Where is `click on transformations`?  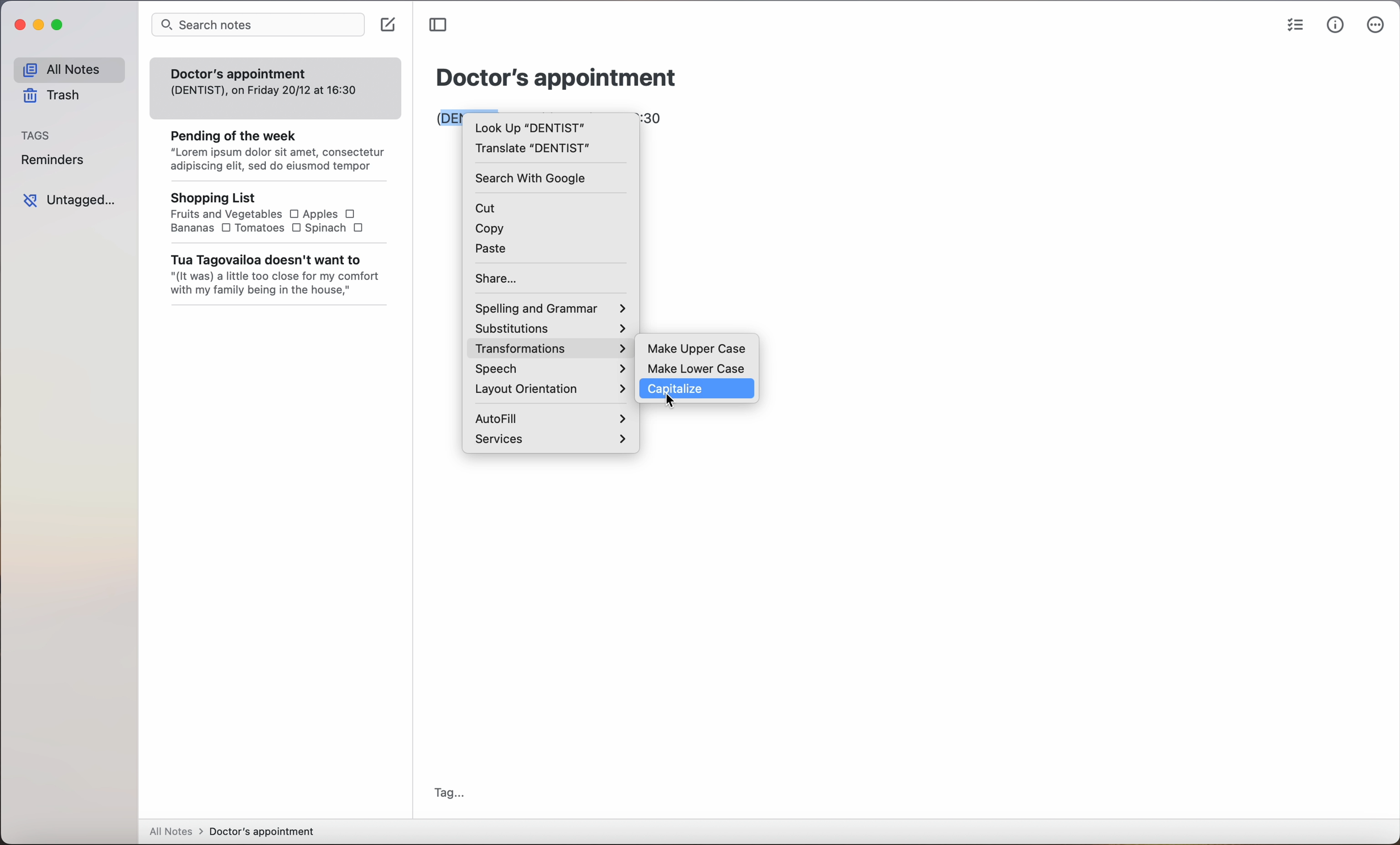
click on transformations is located at coordinates (551, 350).